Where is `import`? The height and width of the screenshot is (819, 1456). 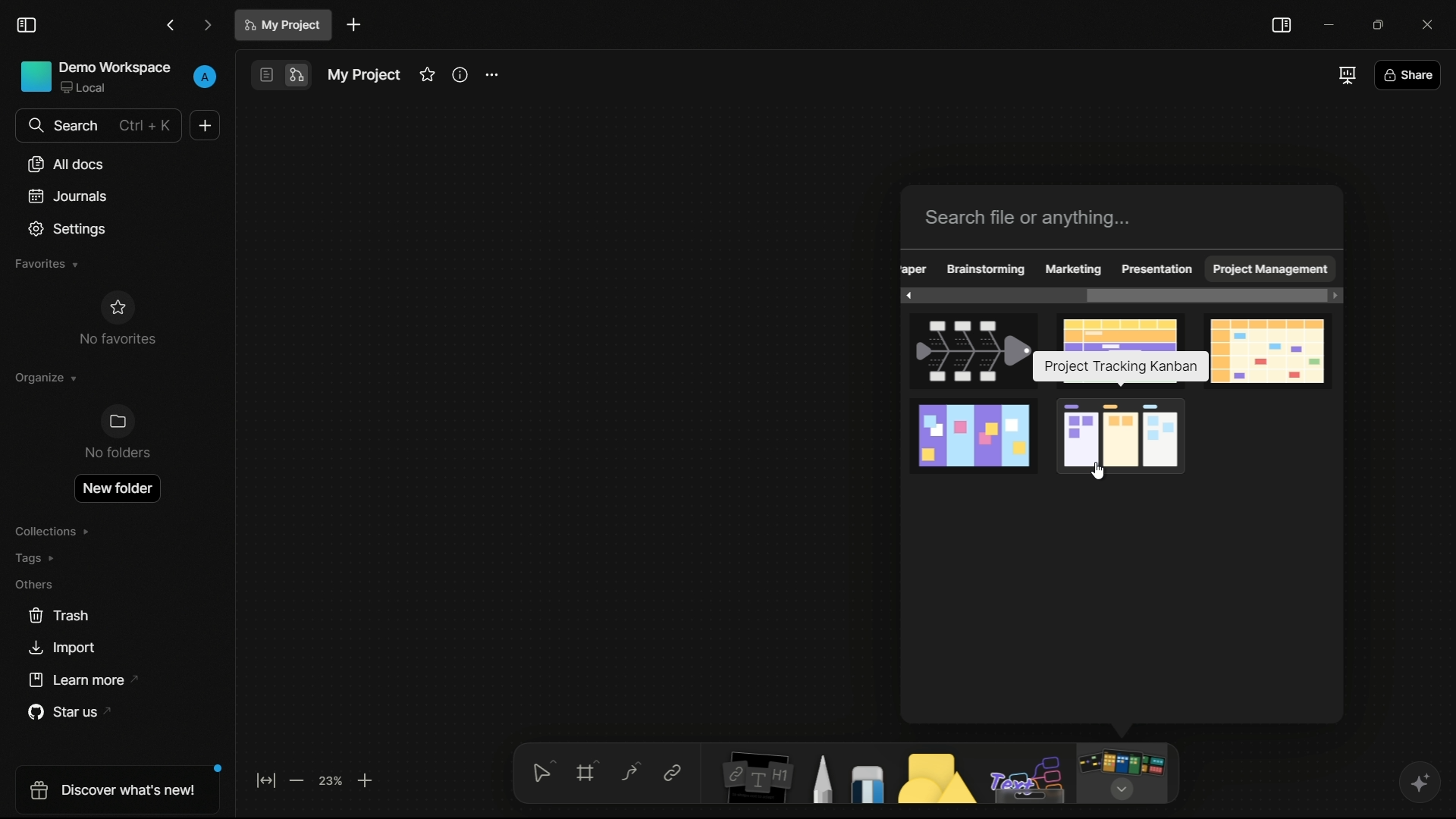 import is located at coordinates (61, 648).